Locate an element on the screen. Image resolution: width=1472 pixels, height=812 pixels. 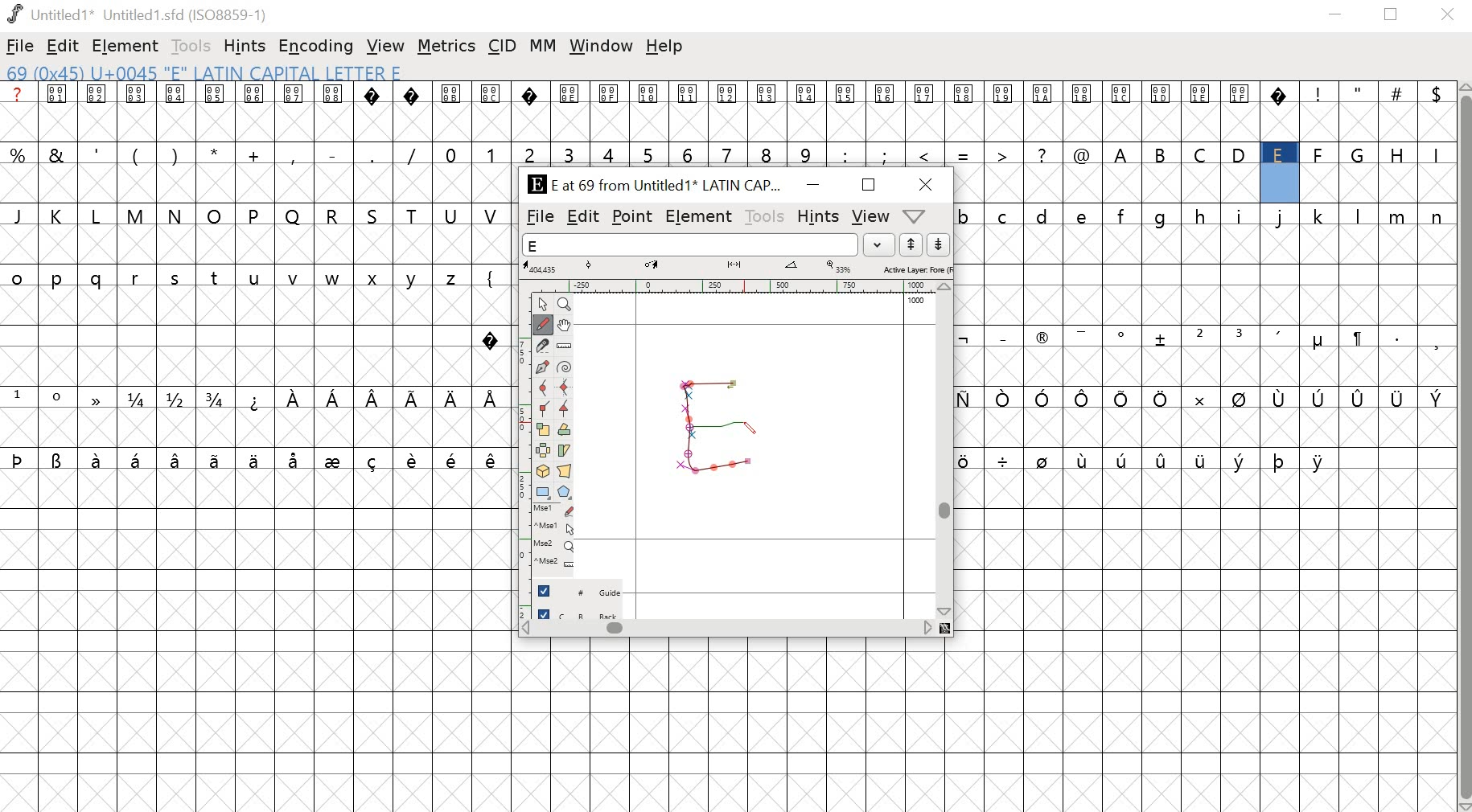
edit is located at coordinates (583, 218).